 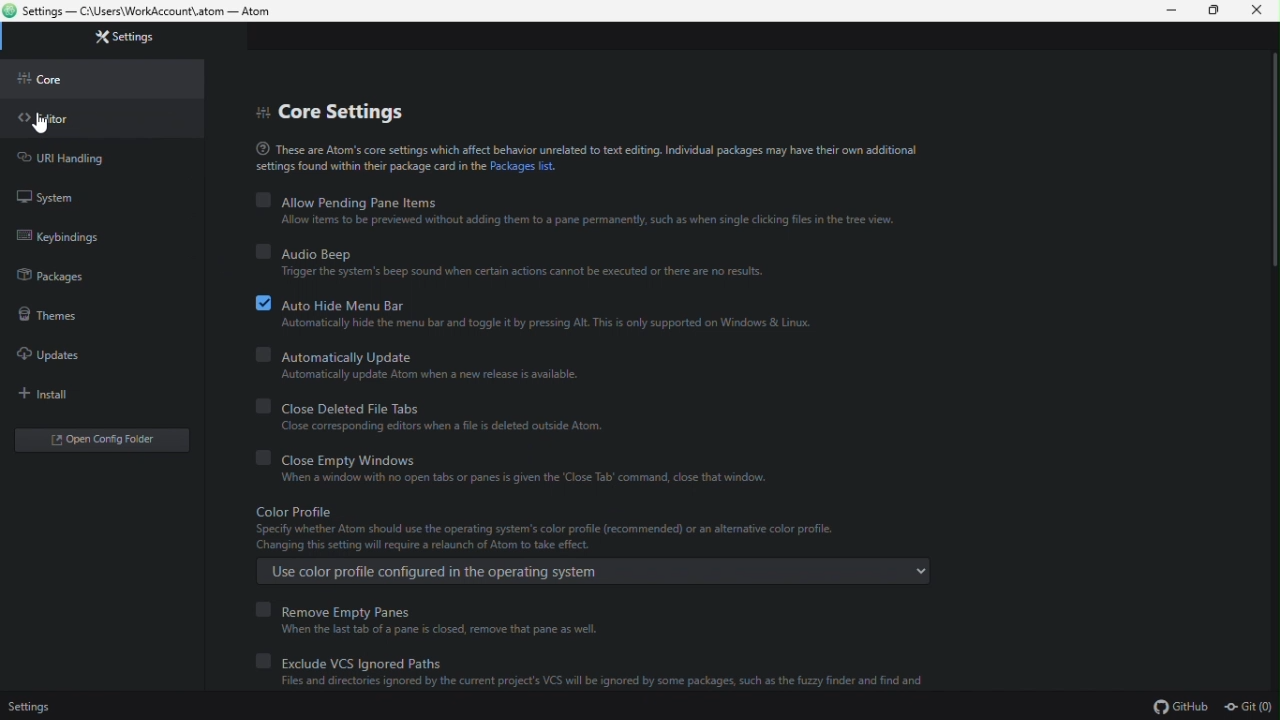 What do you see at coordinates (604, 573) in the screenshot?
I see `Use color profile configured in the operating system ` at bounding box center [604, 573].